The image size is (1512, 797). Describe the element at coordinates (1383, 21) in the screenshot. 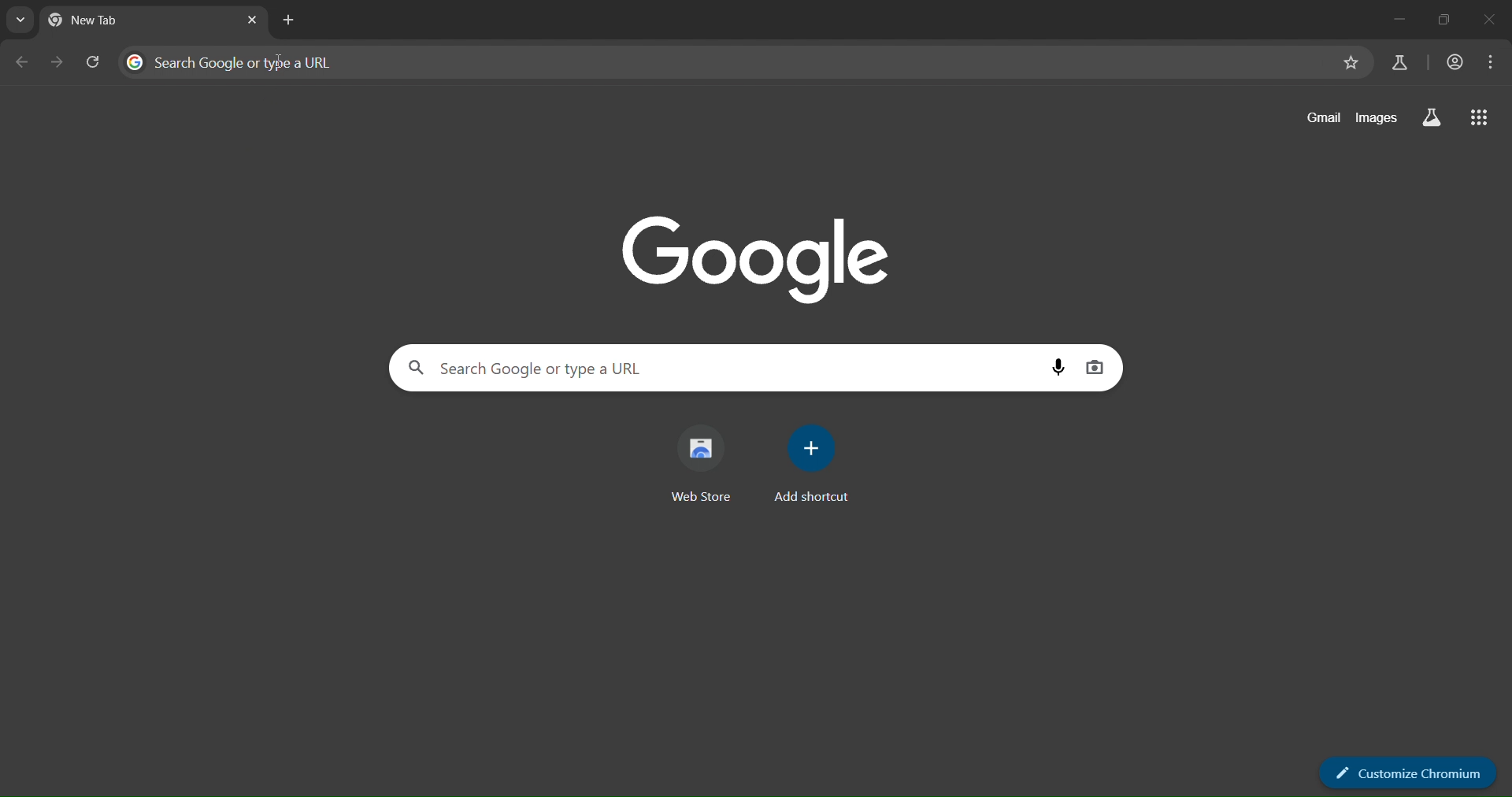

I see `minimize` at that location.